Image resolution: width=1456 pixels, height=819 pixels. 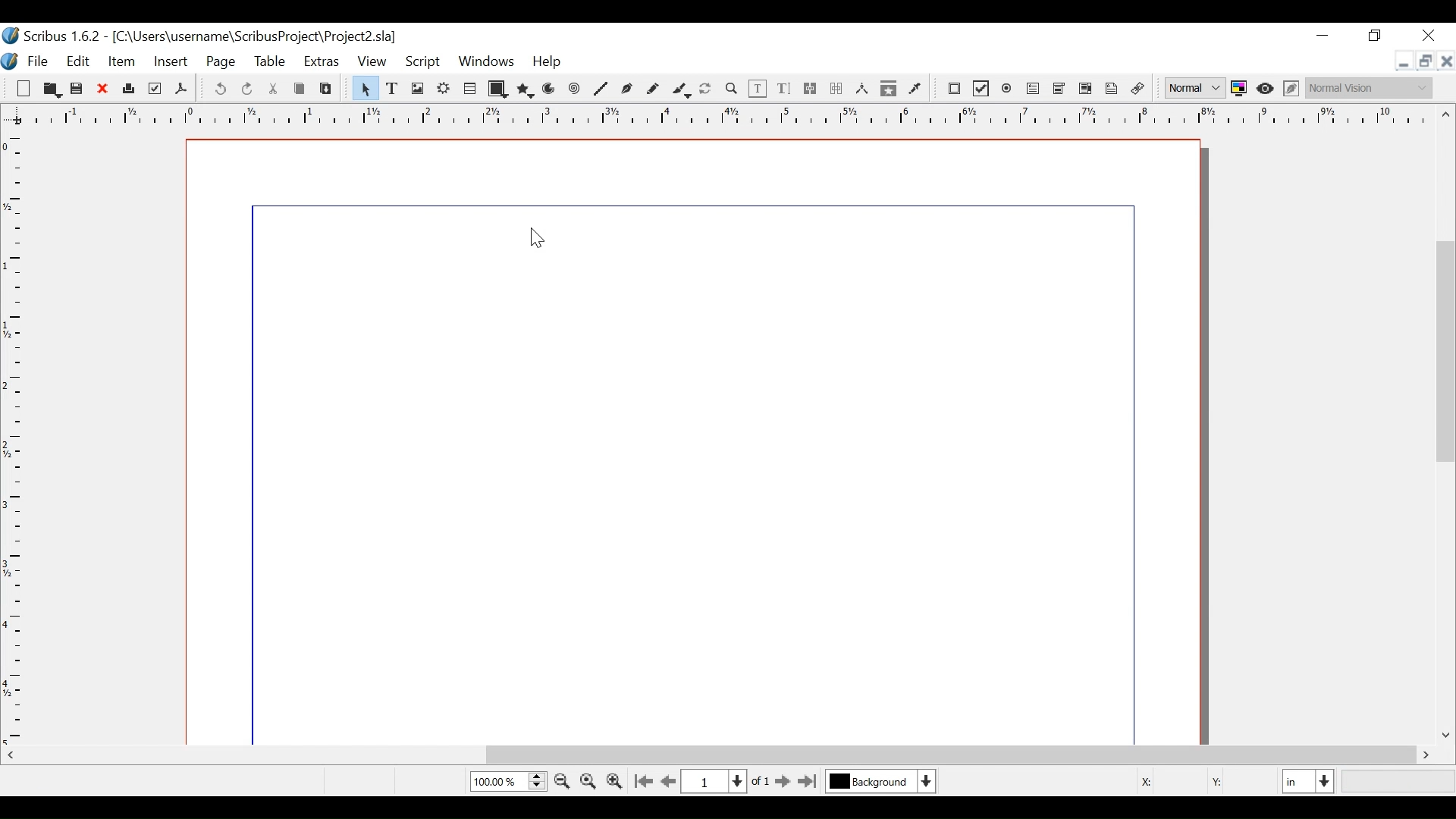 What do you see at coordinates (955, 89) in the screenshot?
I see `PDF Push Button` at bounding box center [955, 89].